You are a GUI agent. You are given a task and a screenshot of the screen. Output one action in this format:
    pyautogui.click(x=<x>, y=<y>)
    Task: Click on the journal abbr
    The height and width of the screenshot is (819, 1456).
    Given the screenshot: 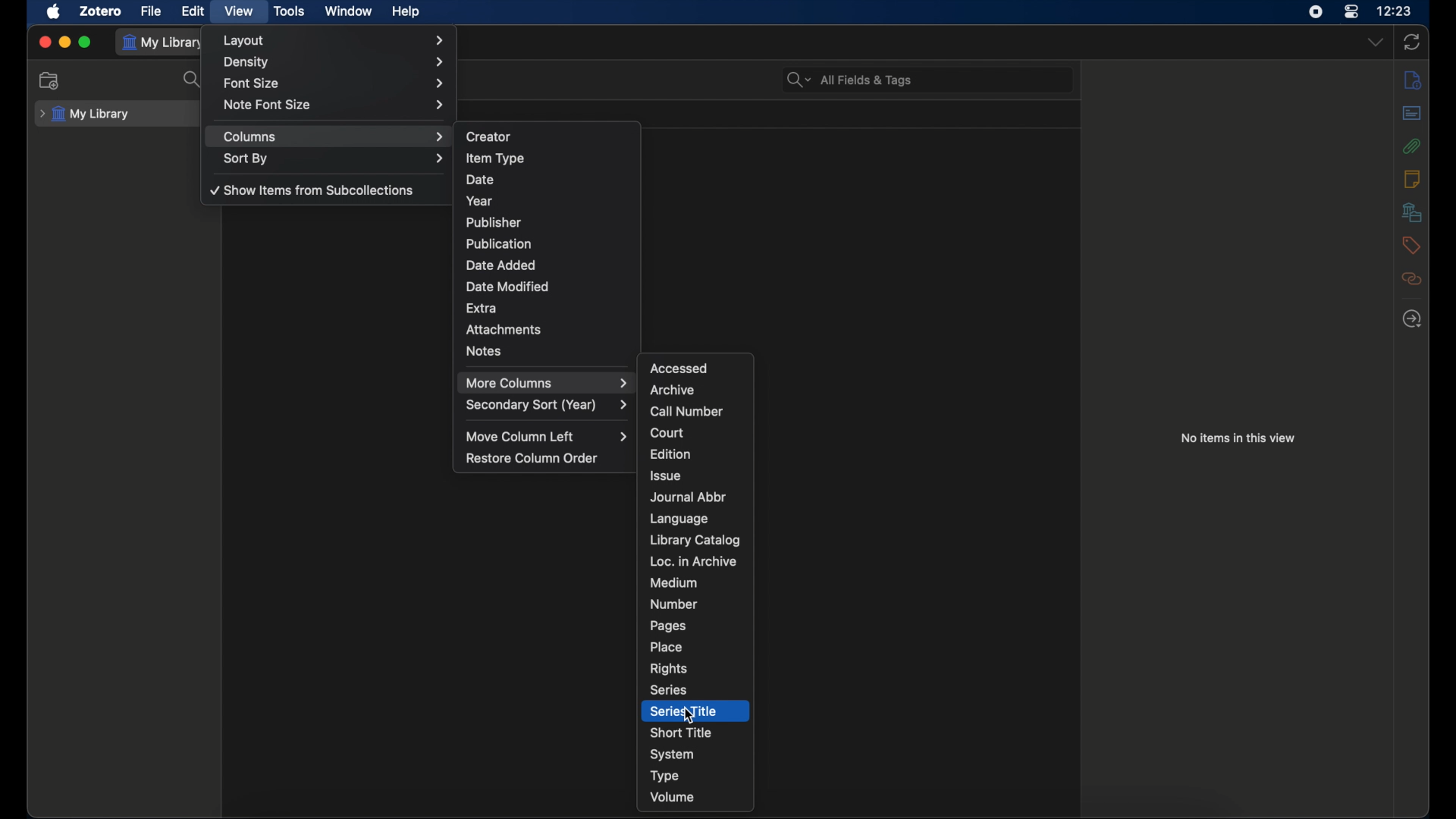 What is the action you would take?
    pyautogui.click(x=688, y=498)
    